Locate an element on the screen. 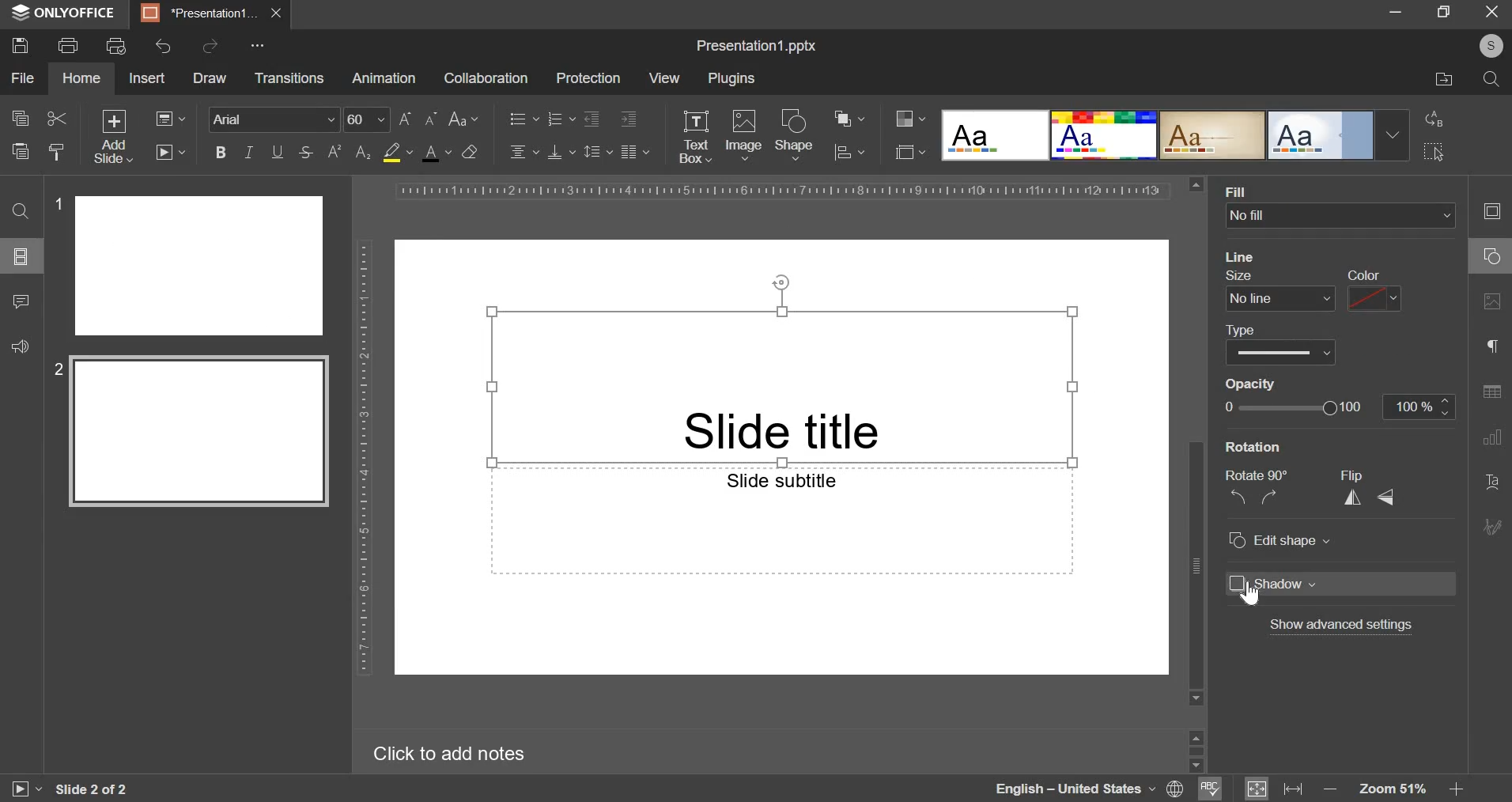  insert is located at coordinates (146, 77).